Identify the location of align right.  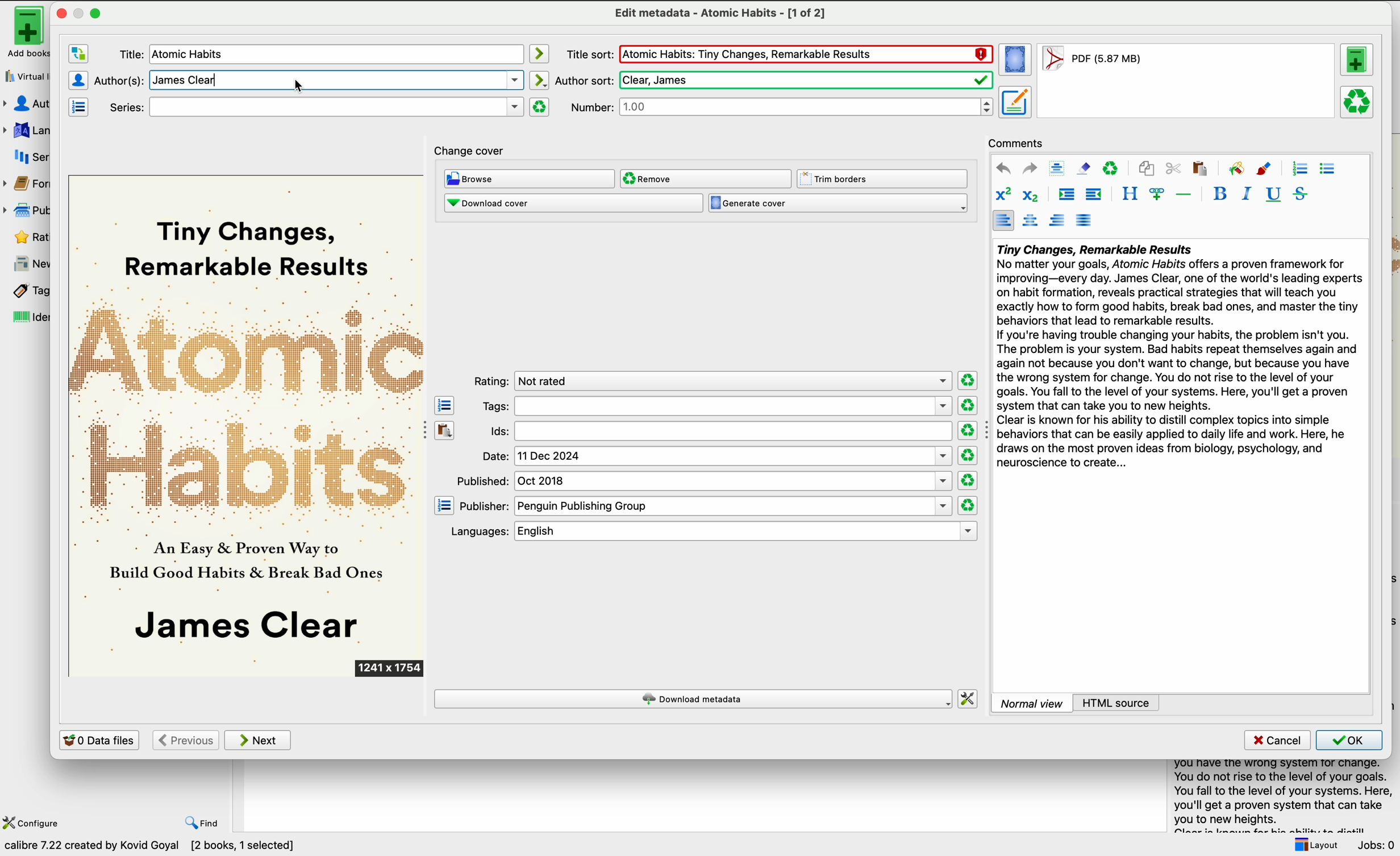
(1058, 220).